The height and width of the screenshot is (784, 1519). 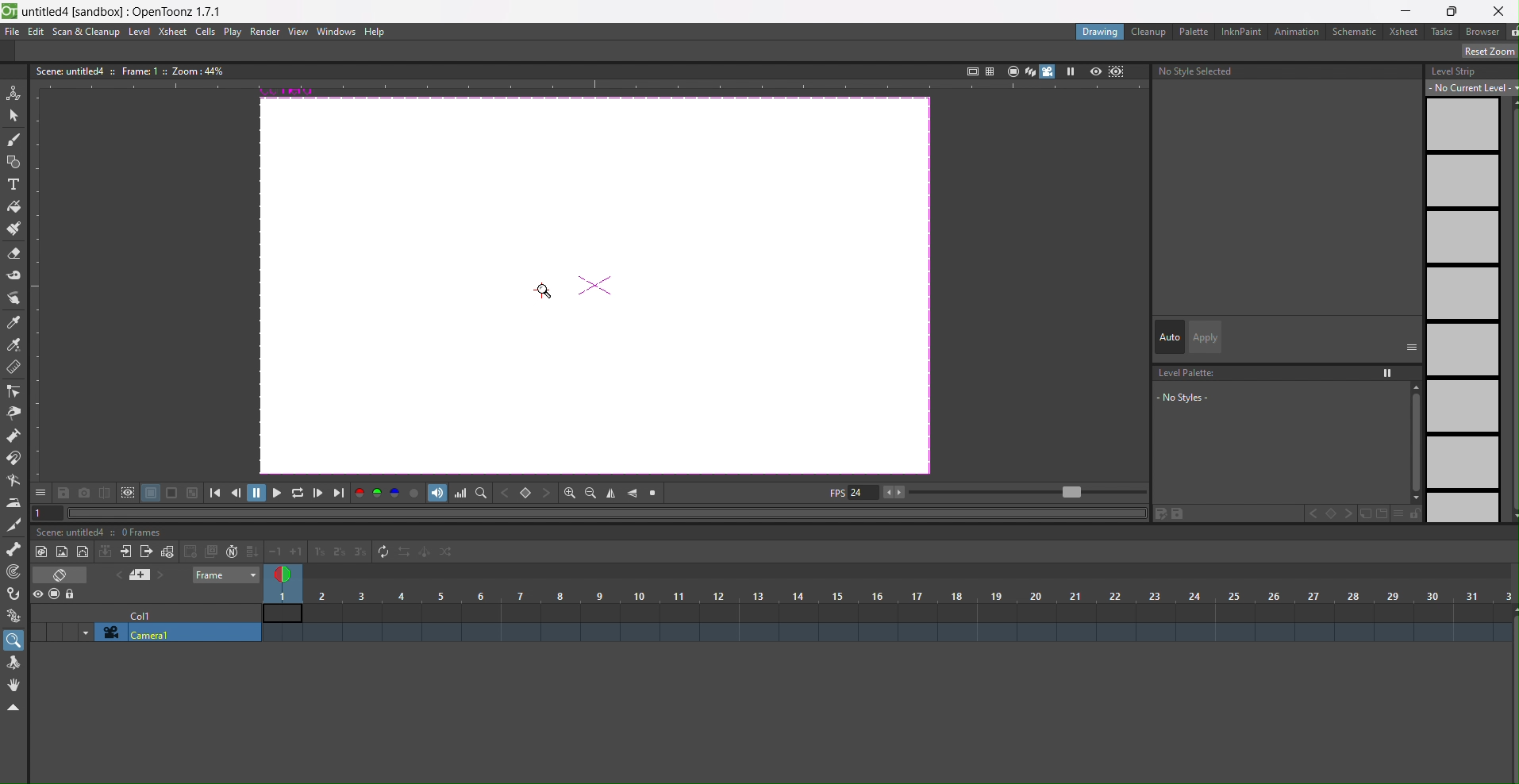 I want to click on no style selected, so click(x=1196, y=75).